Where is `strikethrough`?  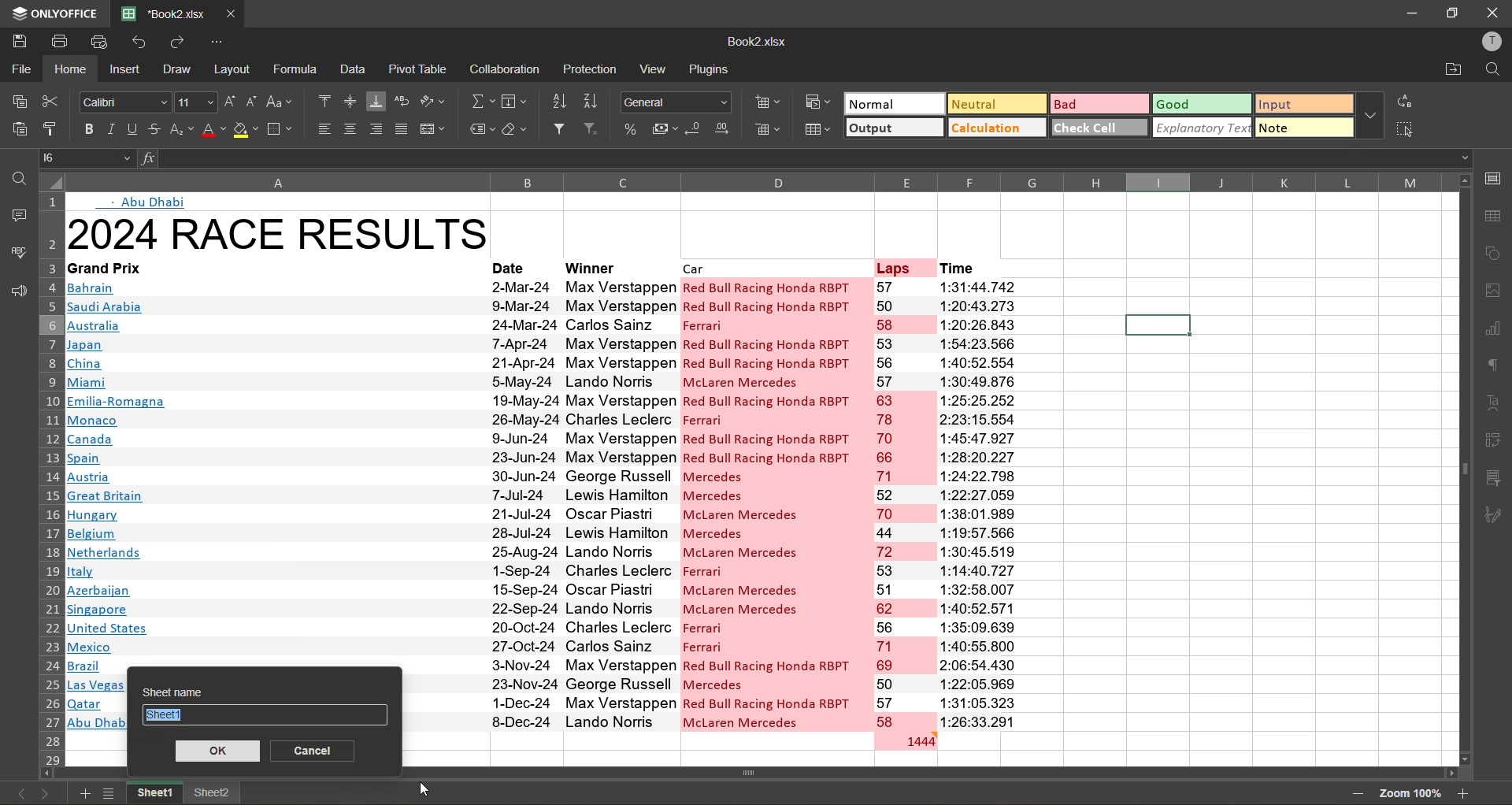 strikethrough is located at coordinates (151, 129).